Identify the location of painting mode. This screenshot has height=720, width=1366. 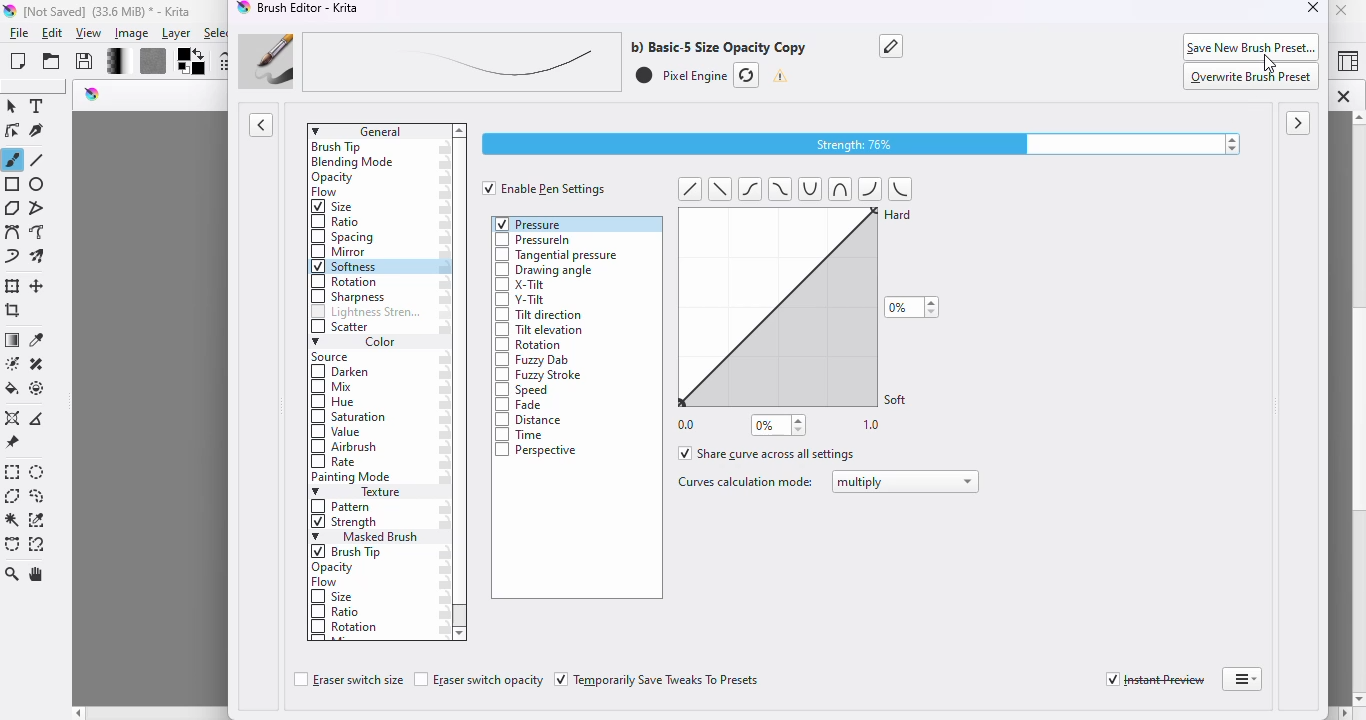
(353, 478).